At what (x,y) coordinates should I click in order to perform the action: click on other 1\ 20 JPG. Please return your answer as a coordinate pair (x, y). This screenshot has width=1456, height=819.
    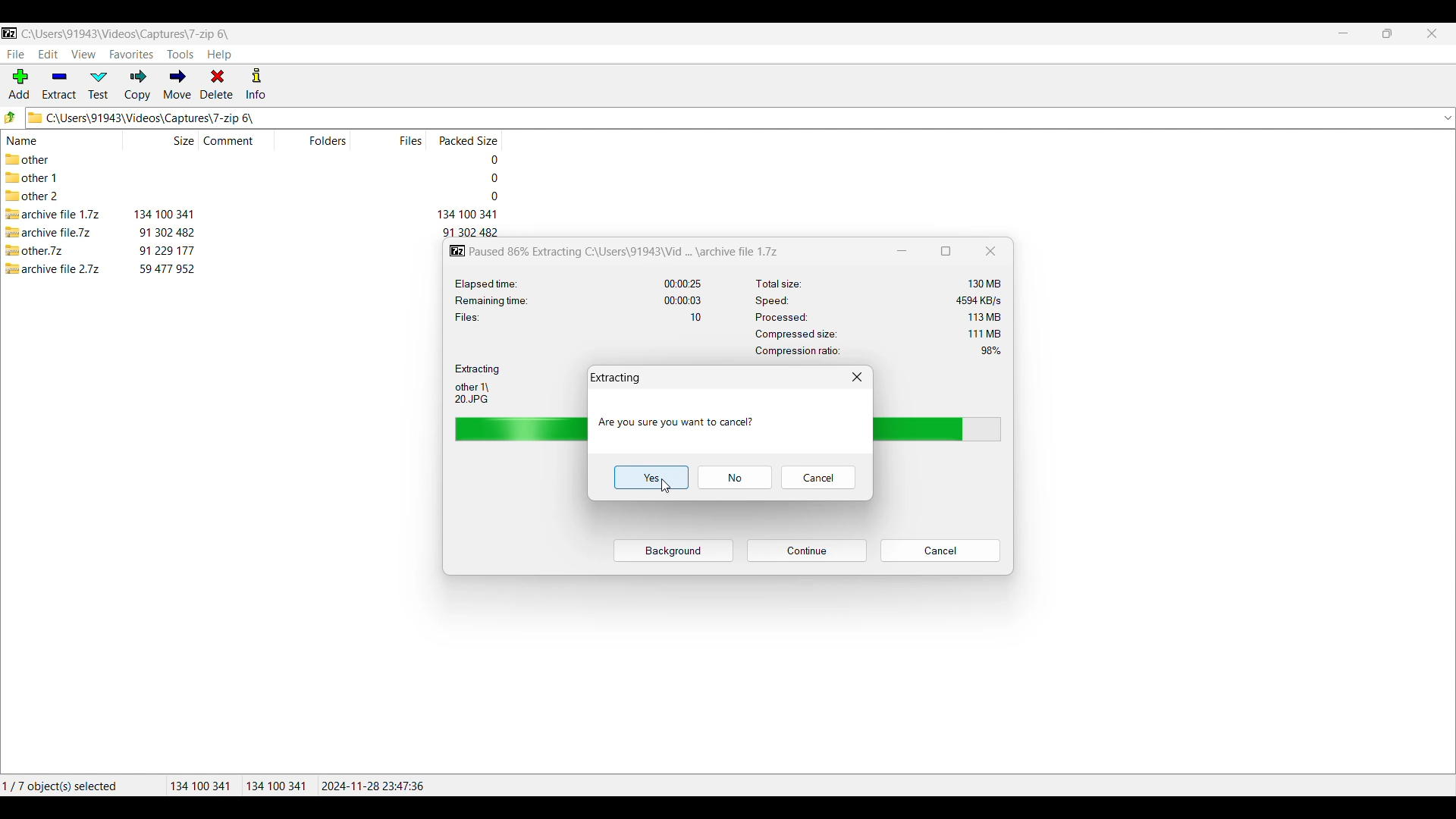
    Looking at the image, I should click on (472, 393).